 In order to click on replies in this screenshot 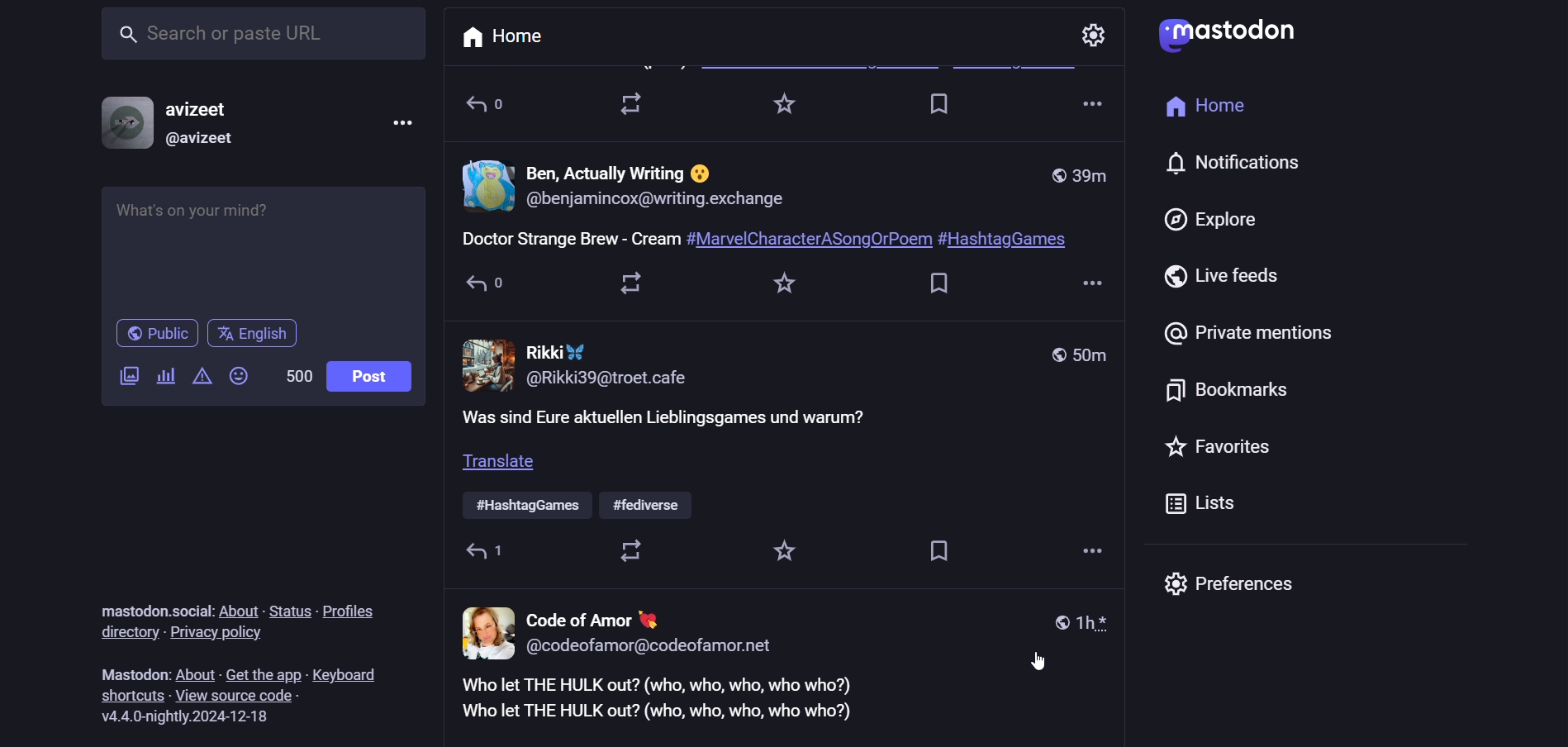, I will do `click(496, 283)`.